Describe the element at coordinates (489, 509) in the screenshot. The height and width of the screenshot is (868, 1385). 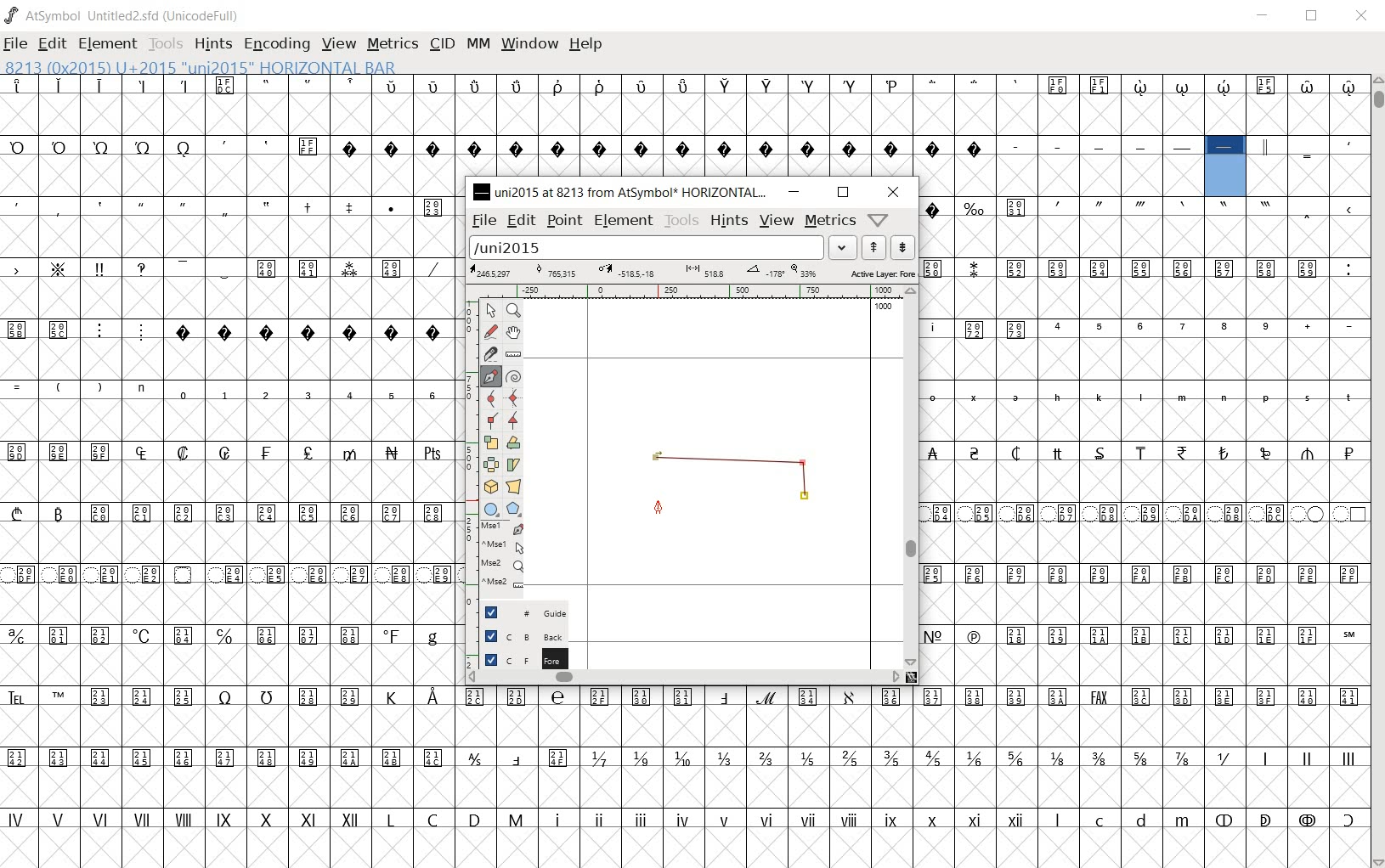
I see `rectangle or ellipse` at that location.